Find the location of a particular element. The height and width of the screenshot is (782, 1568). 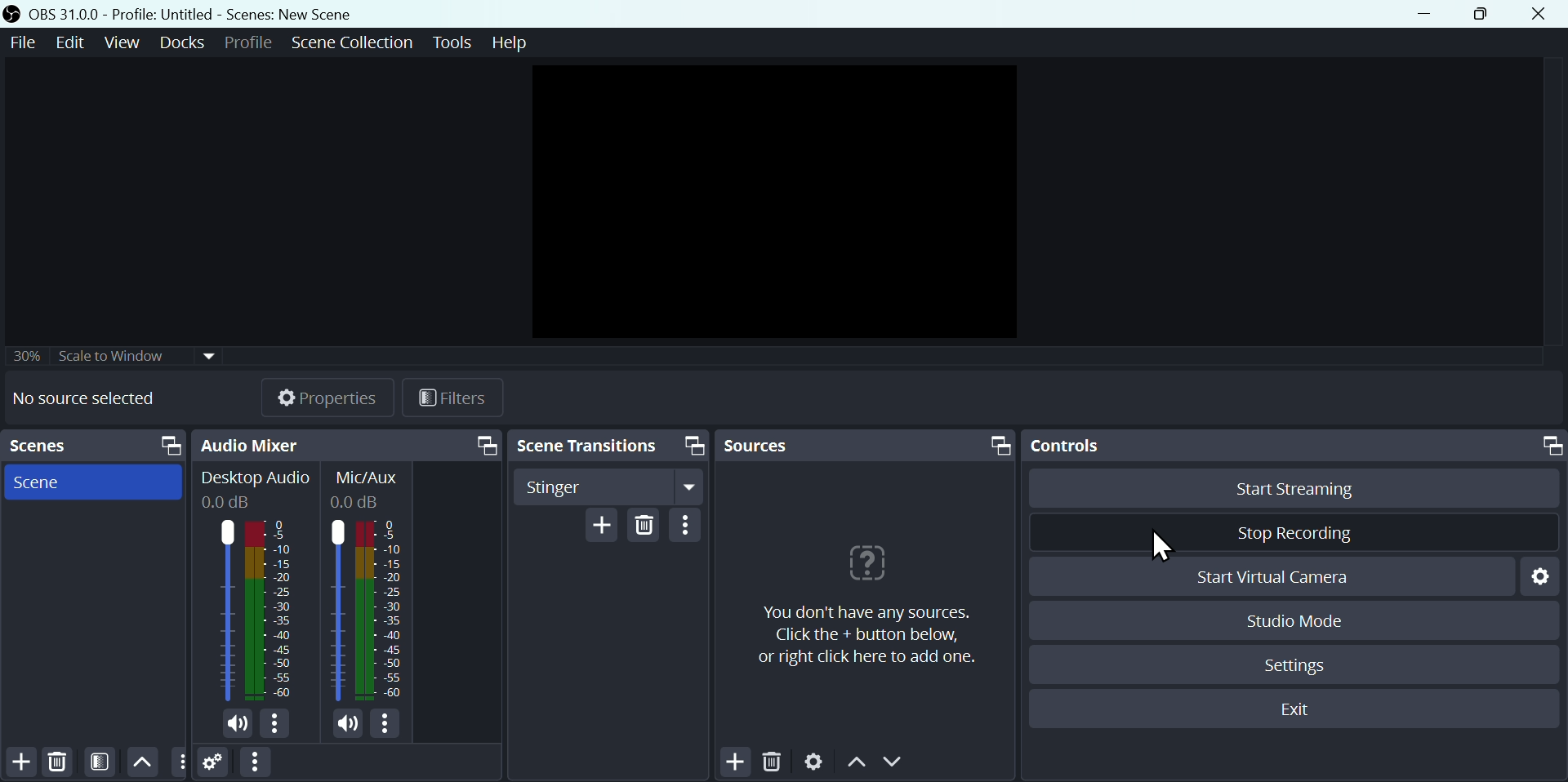

Add is located at coordinates (735, 763).